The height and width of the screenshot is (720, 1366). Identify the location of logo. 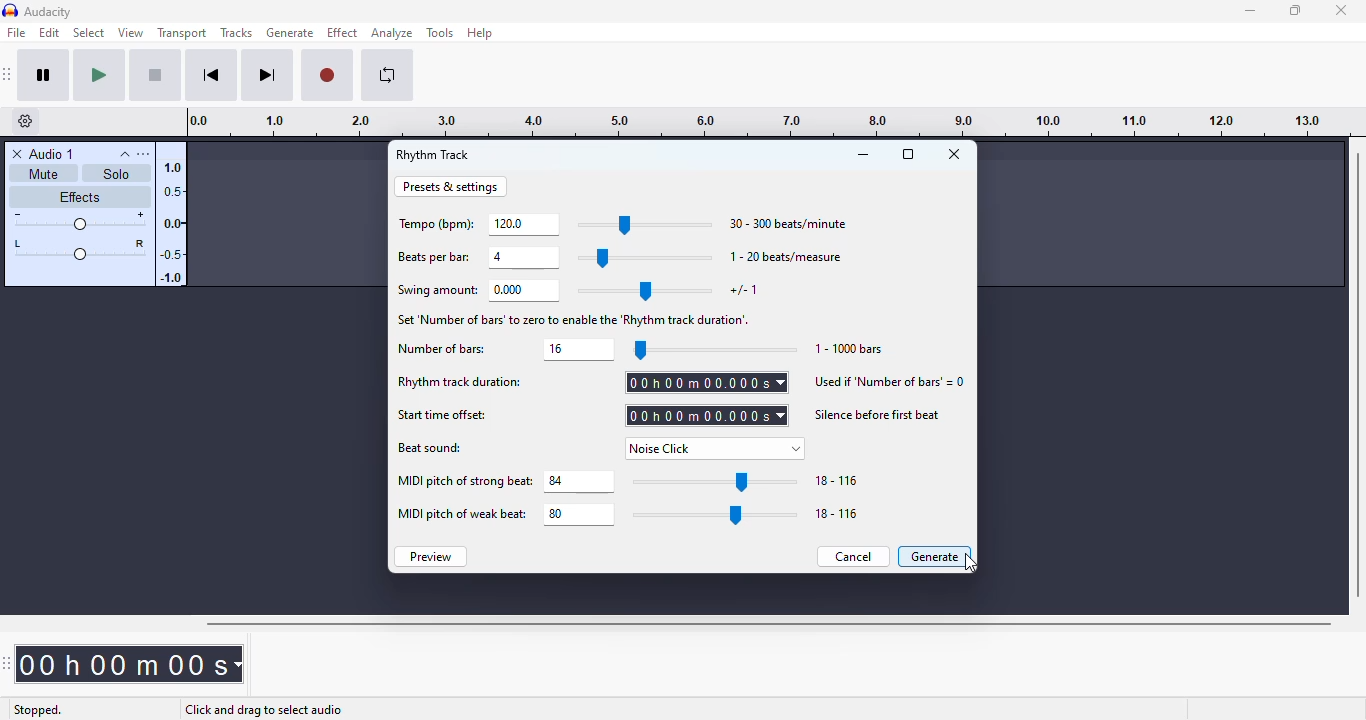
(10, 10).